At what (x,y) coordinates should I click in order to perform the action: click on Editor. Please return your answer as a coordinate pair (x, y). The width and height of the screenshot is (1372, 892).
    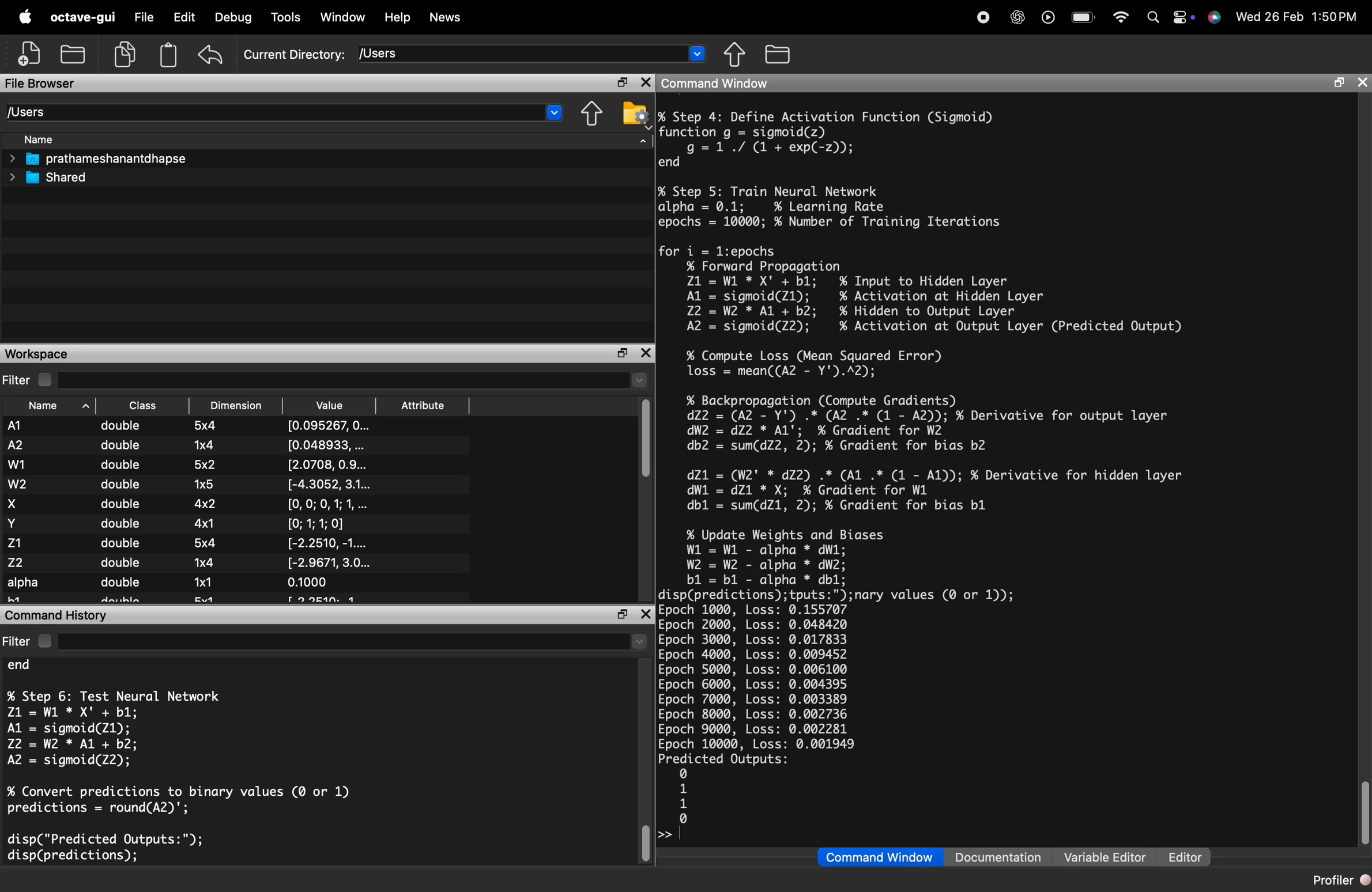
    Looking at the image, I should click on (1185, 857).